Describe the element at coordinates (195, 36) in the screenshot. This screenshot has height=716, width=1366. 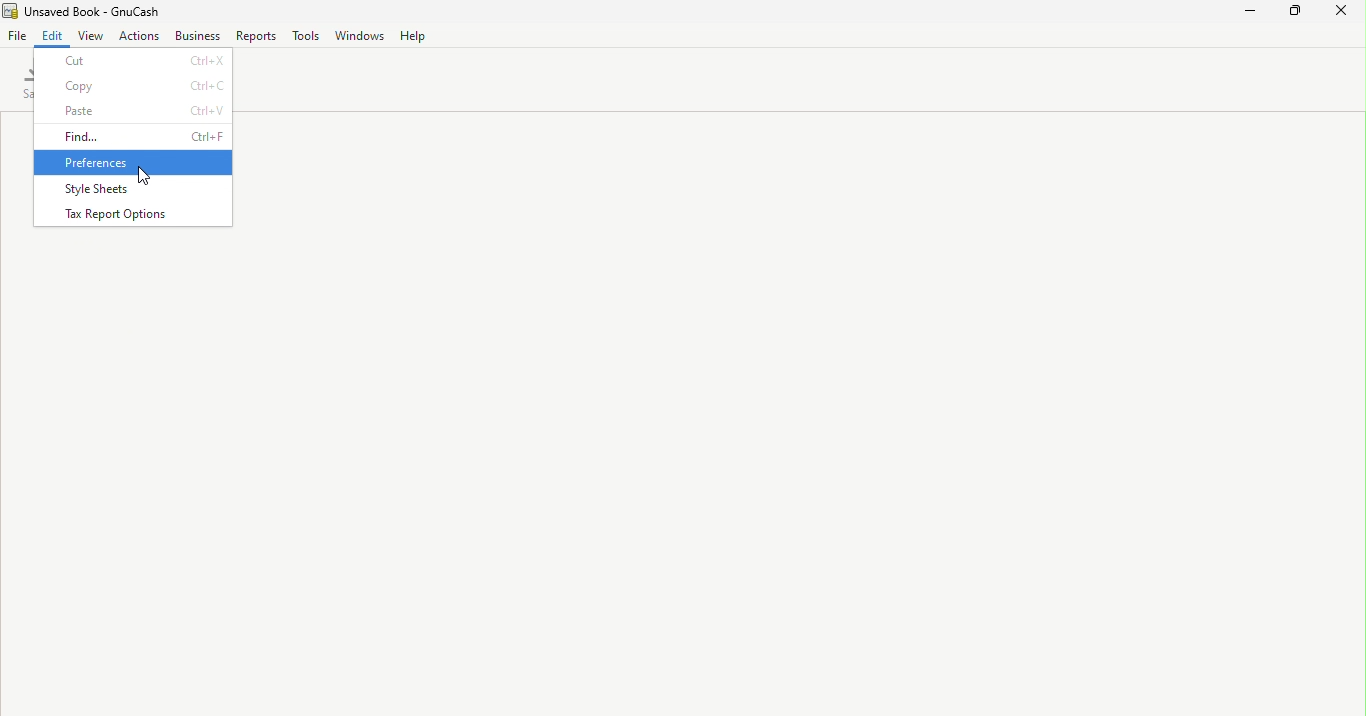
I see `Business` at that location.